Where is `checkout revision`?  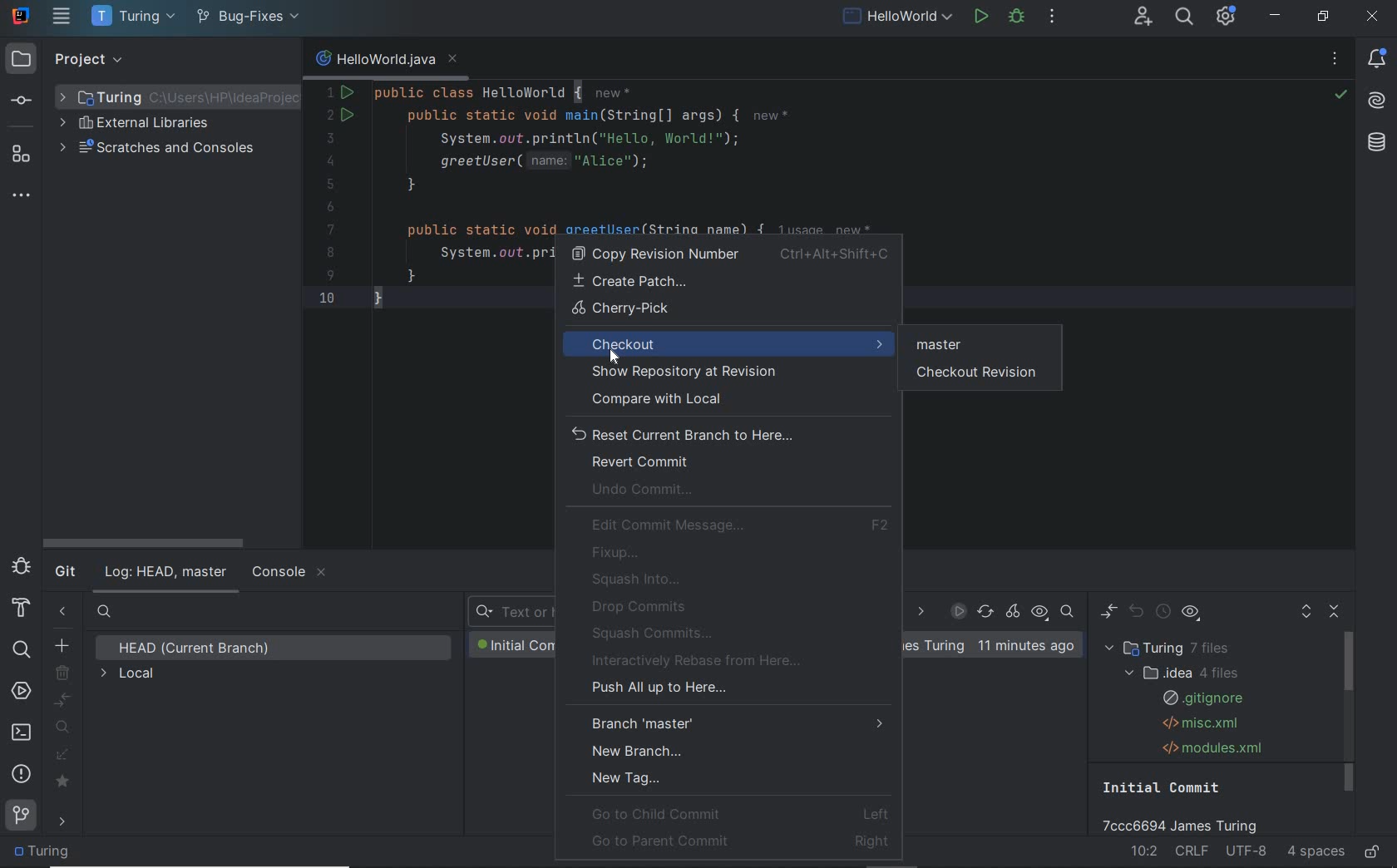
checkout revision is located at coordinates (985, 374).